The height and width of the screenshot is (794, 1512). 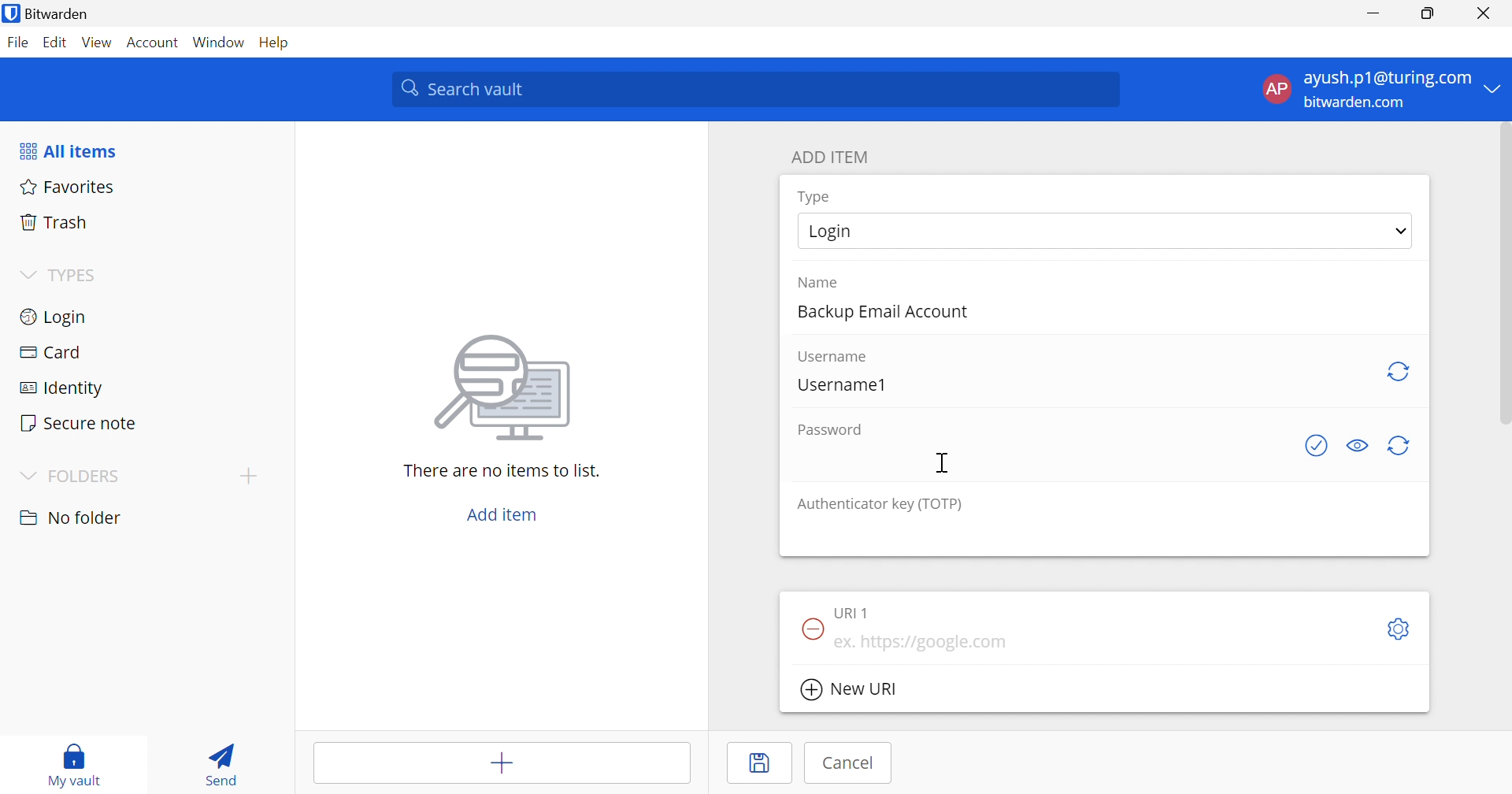 I want to click on Identity, so click(x=56, y=390).